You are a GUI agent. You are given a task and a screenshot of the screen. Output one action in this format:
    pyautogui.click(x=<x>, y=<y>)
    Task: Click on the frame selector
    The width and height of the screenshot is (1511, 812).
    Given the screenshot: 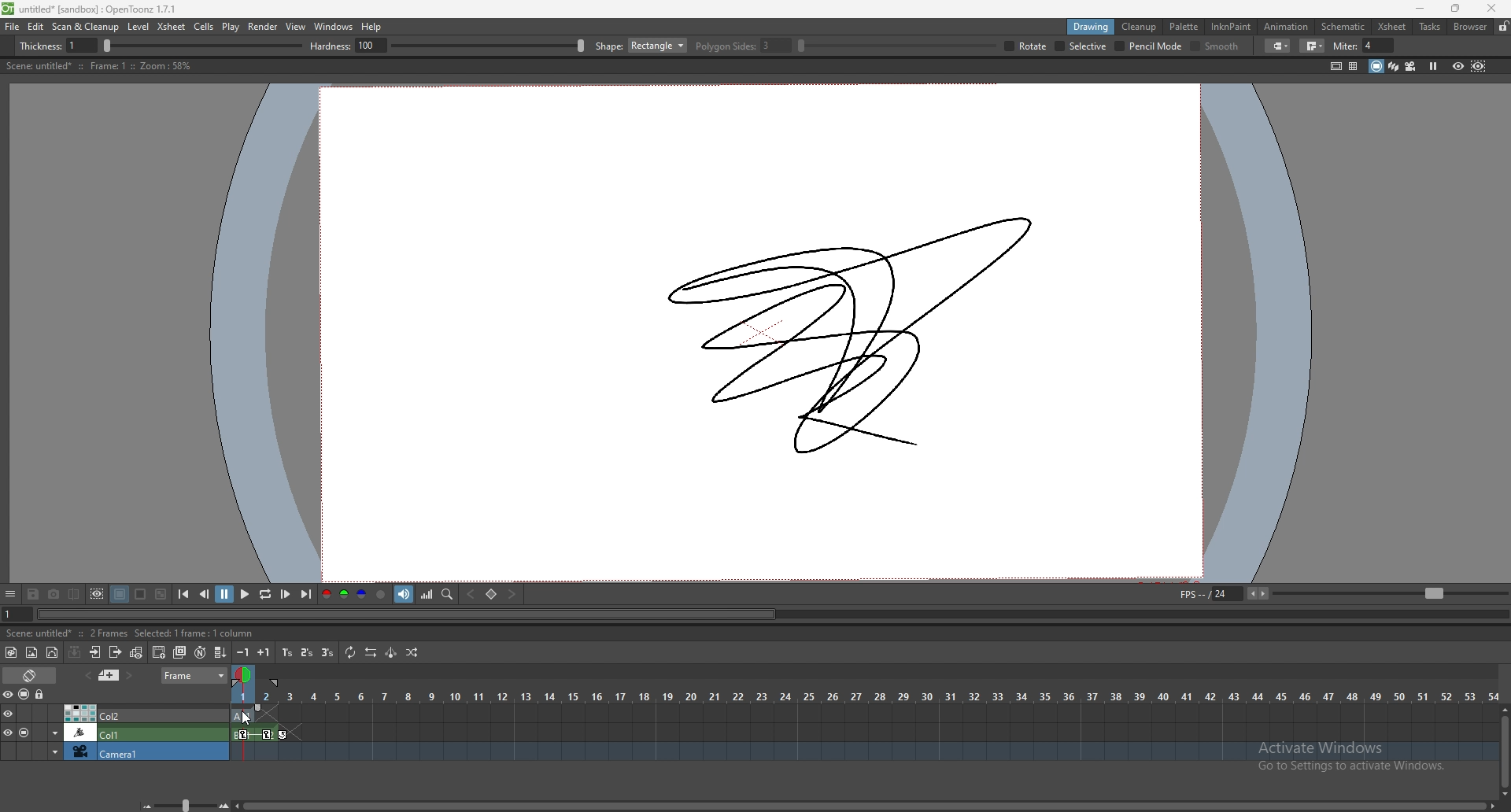 What is the action you would take?
    pyautogui.click(x=245, y=674)
    